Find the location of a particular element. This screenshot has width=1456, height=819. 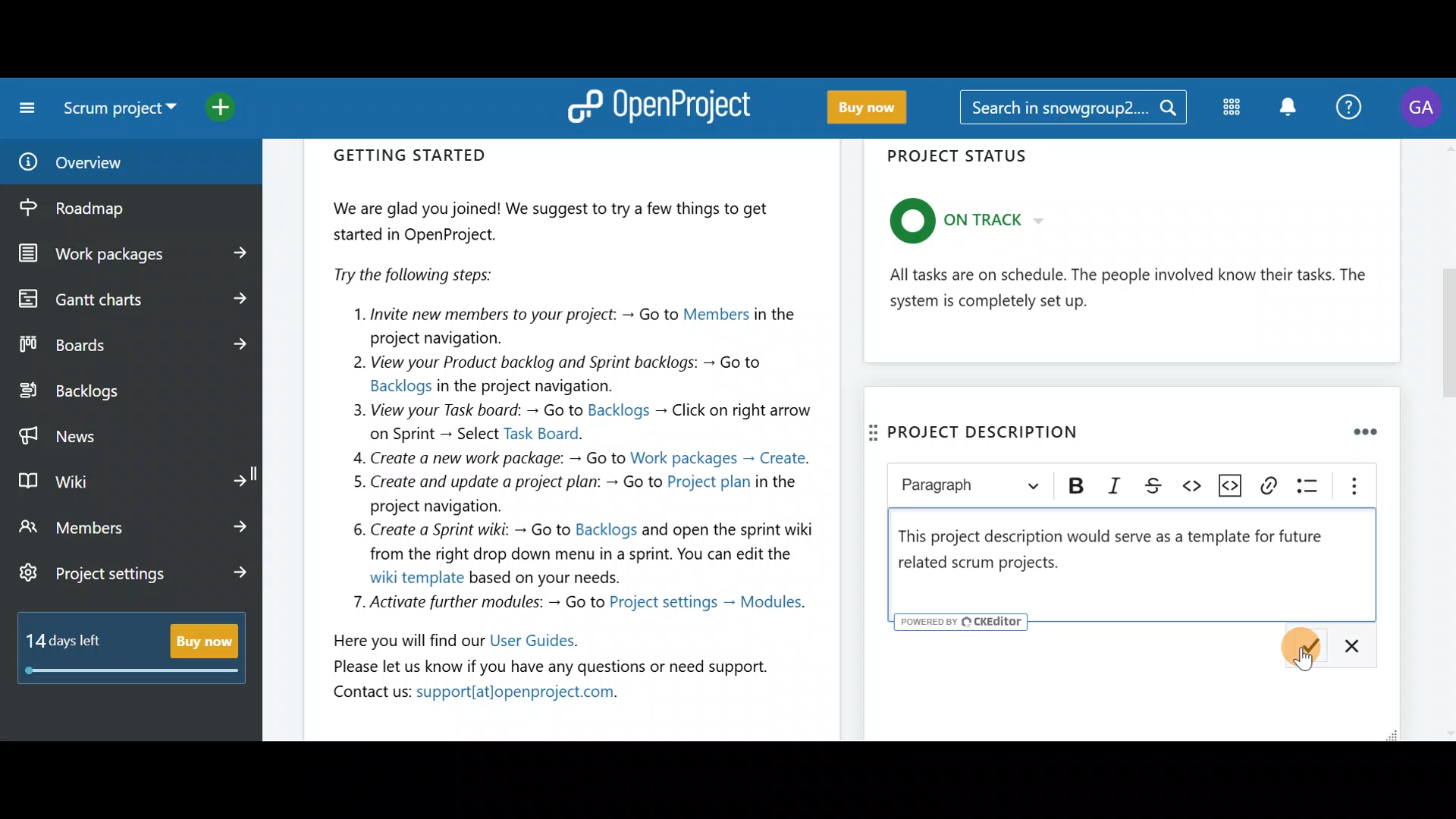

Bold is located at coordinates (1078, 487).